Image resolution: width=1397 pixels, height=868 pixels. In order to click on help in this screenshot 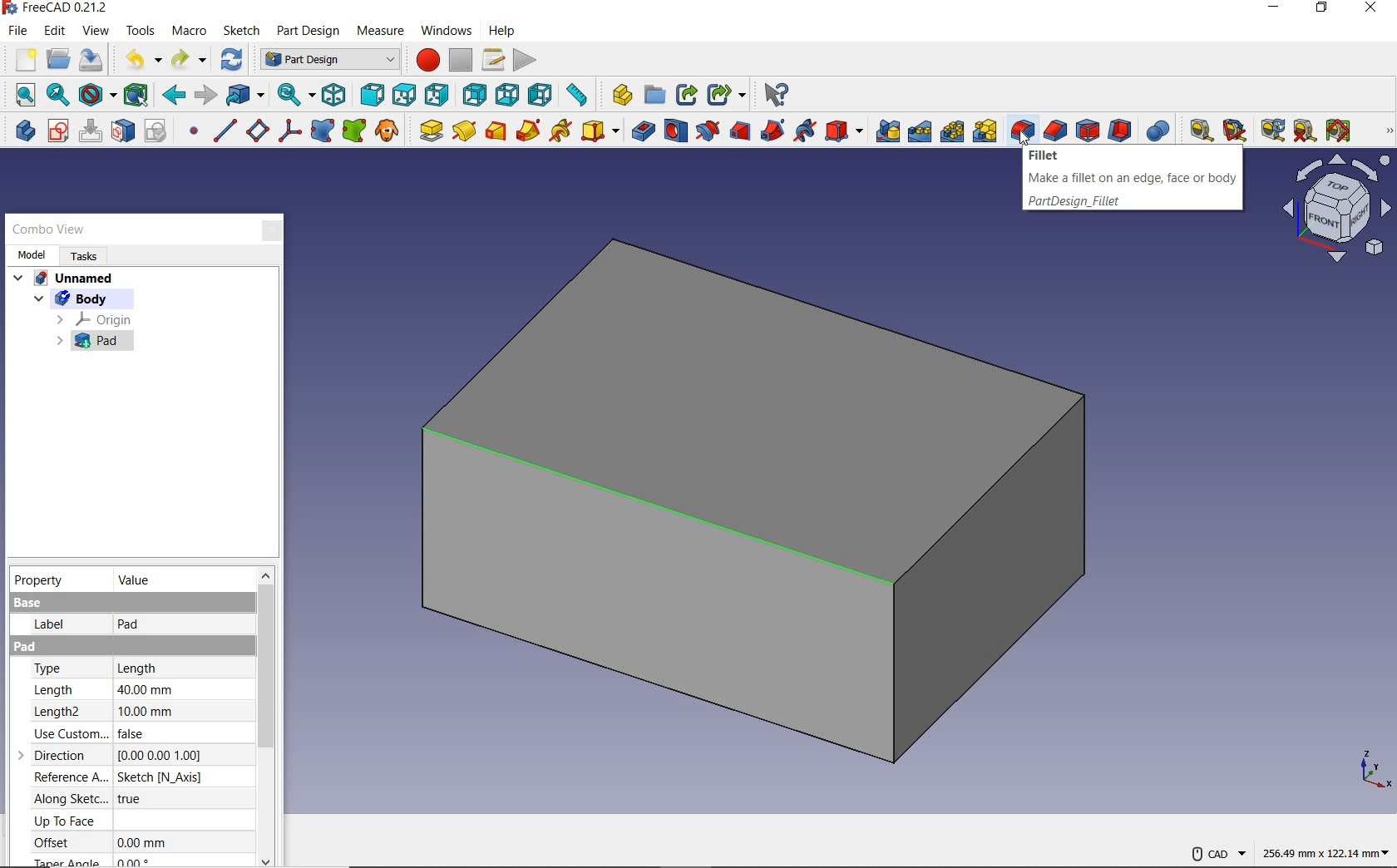, I will do `click(501, 32)`.